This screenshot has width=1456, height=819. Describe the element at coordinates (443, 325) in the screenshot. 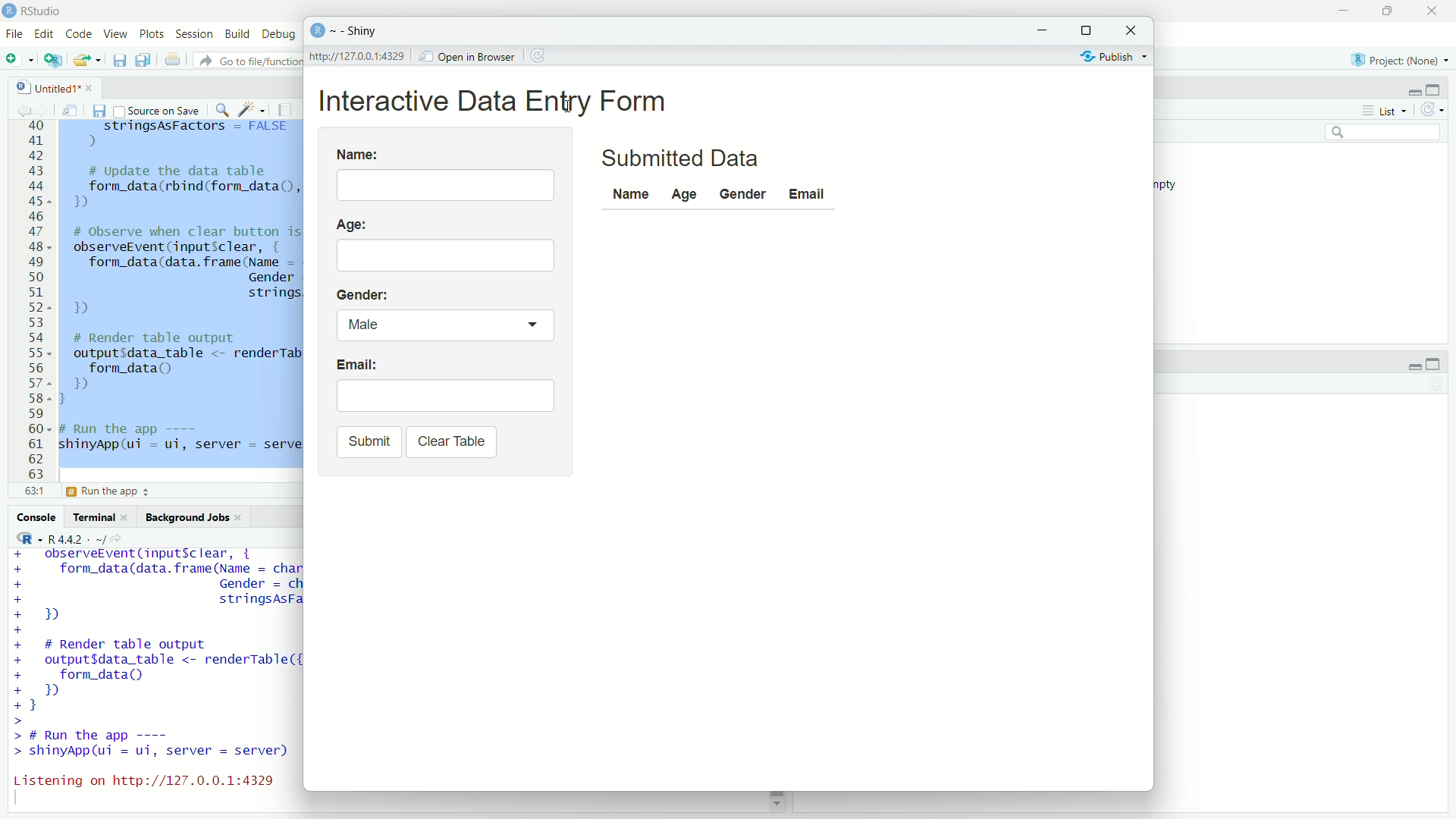

I see `dropdown for gender` at that location.